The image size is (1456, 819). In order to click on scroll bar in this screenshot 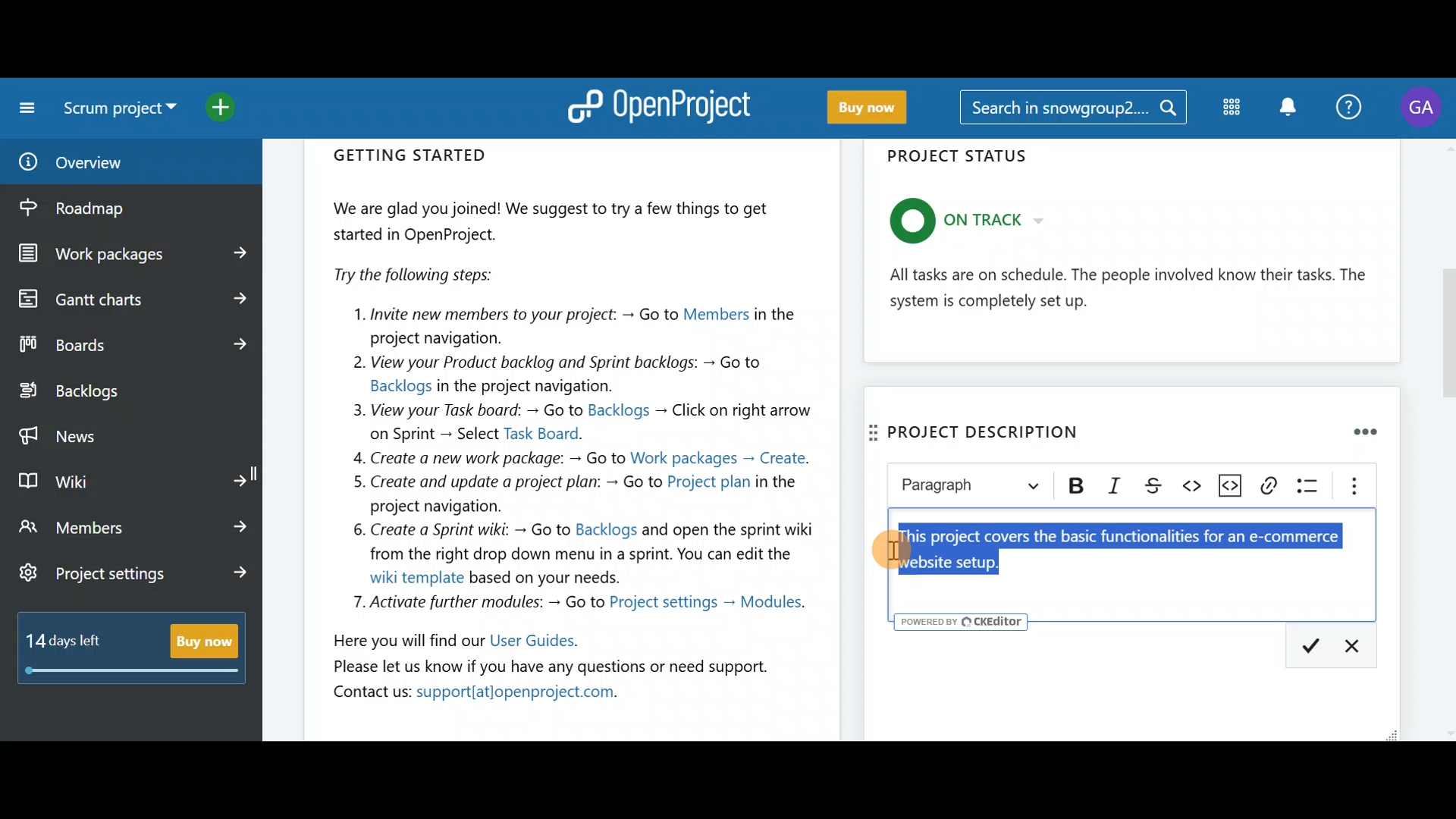, I will do `click(1446, 440)`.